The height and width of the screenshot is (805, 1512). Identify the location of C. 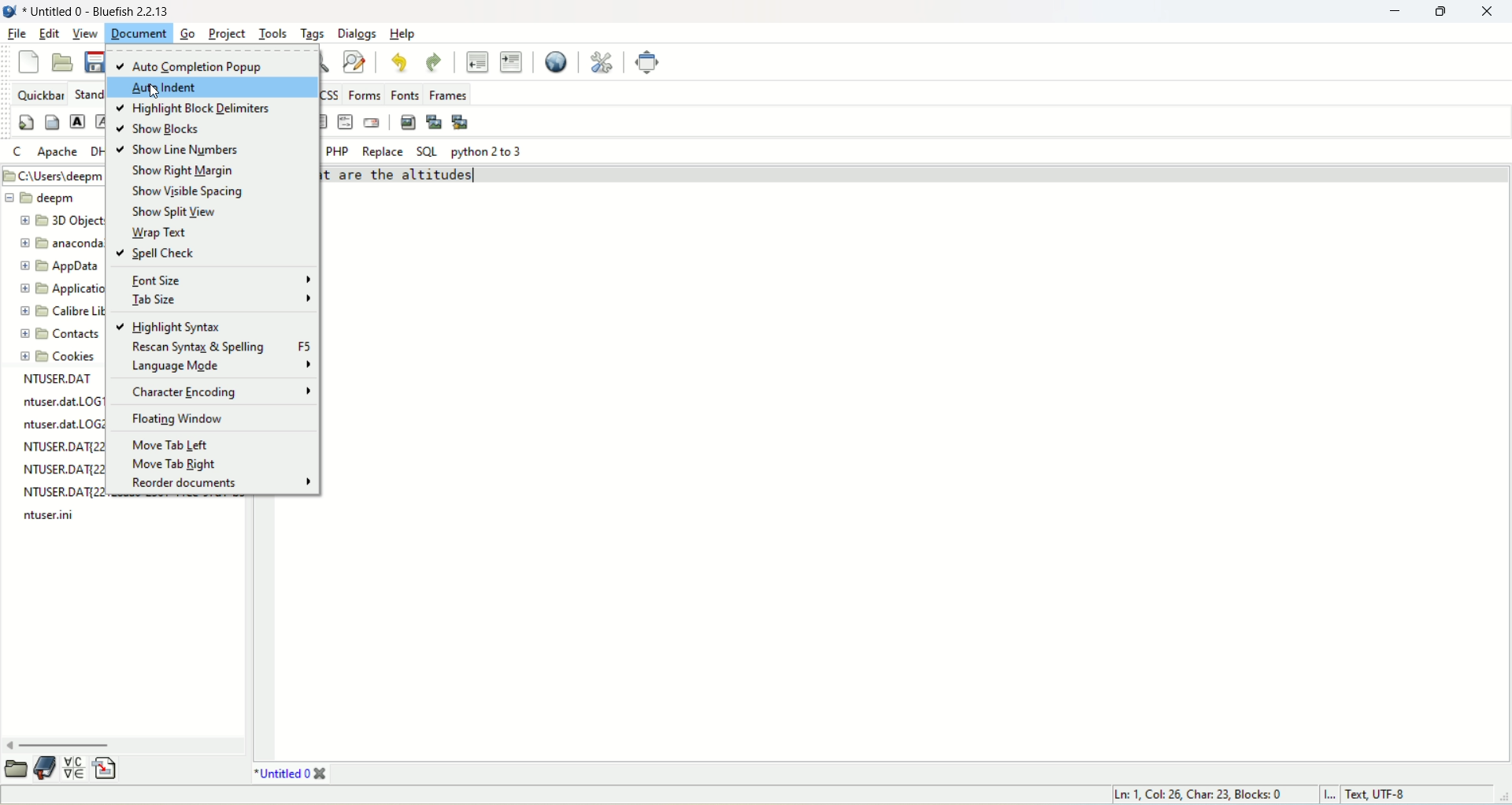
(18, 151).